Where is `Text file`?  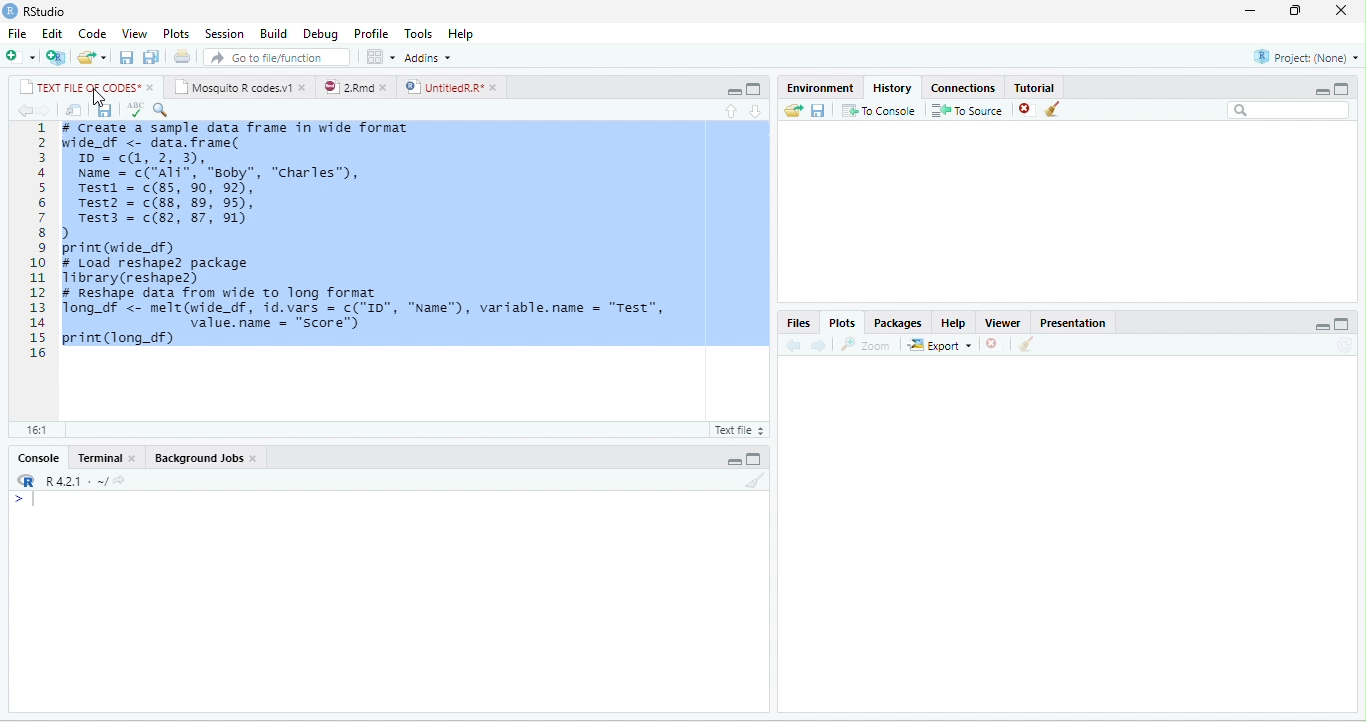 Text file is located at coordinates (737, 429).